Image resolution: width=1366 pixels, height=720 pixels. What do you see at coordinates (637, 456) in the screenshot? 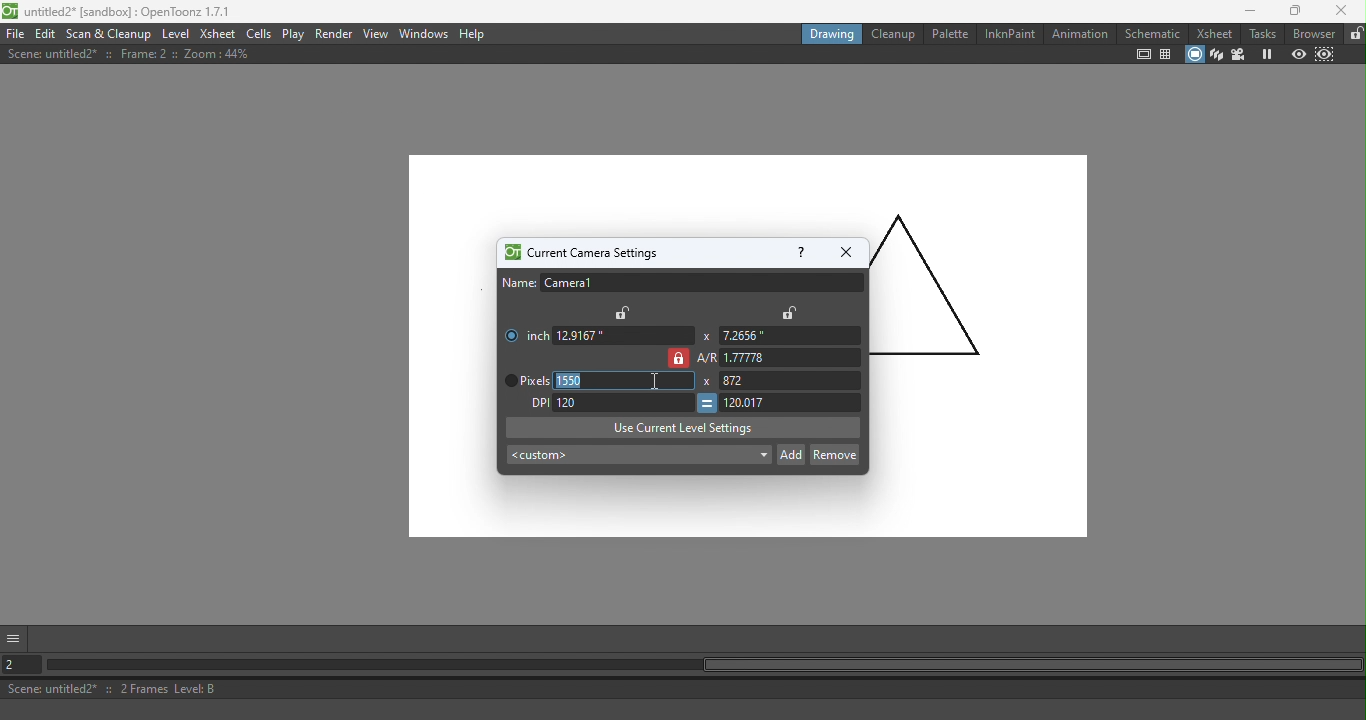
I see `Drop down menu` at bounding box center [637, 456].